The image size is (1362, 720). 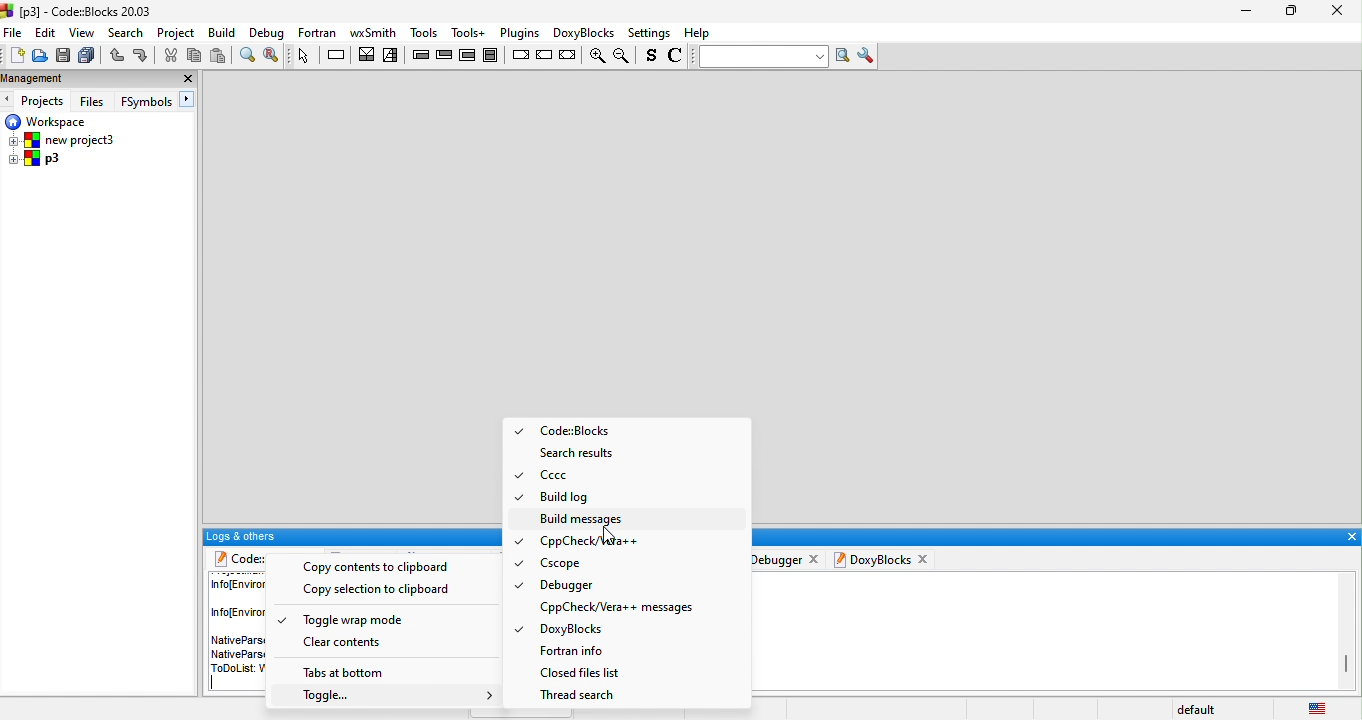 I want to click on paste, so click(x=220, y=55).